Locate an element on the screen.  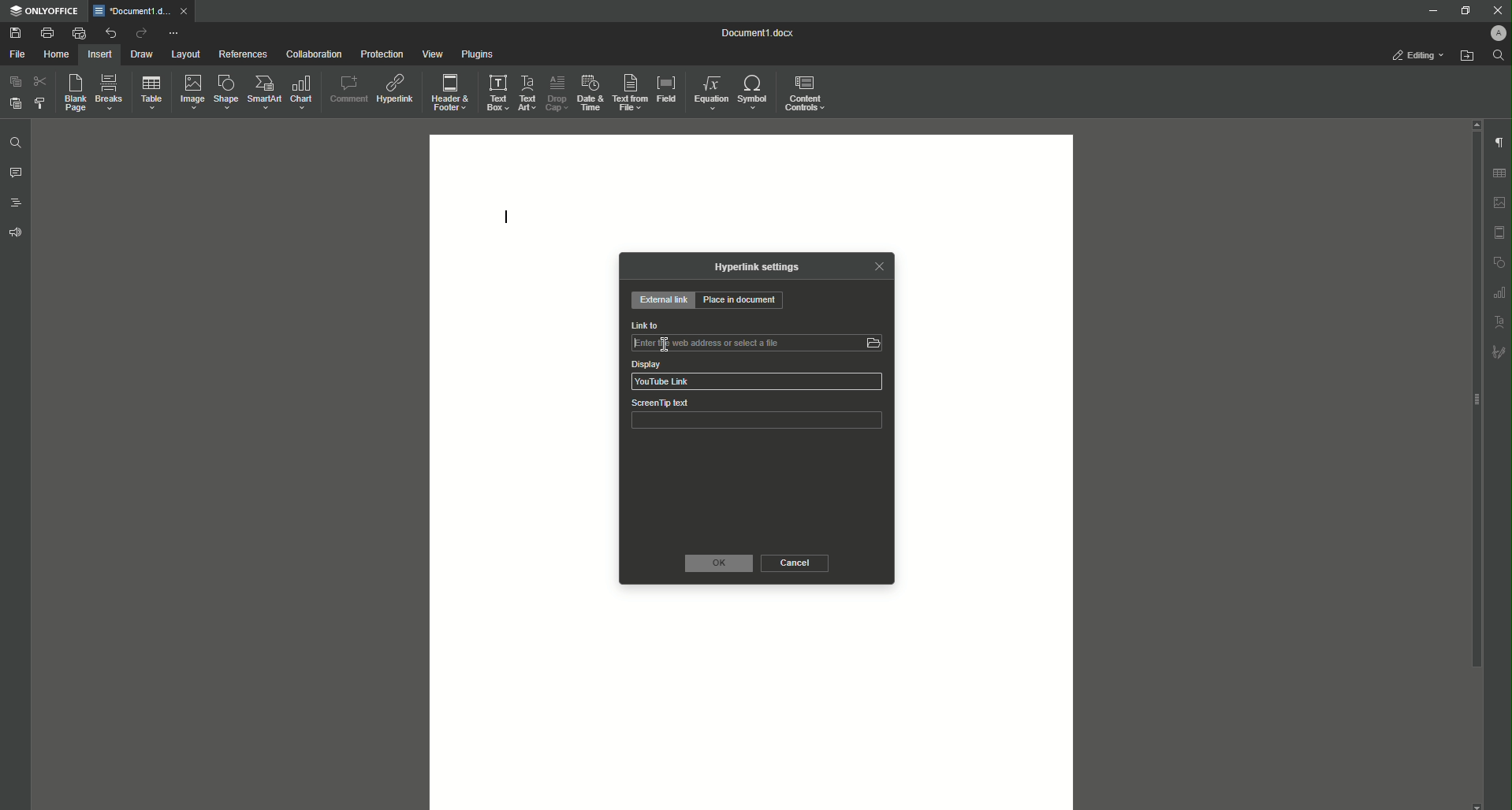
Headings is located at coordinates (16, 203).